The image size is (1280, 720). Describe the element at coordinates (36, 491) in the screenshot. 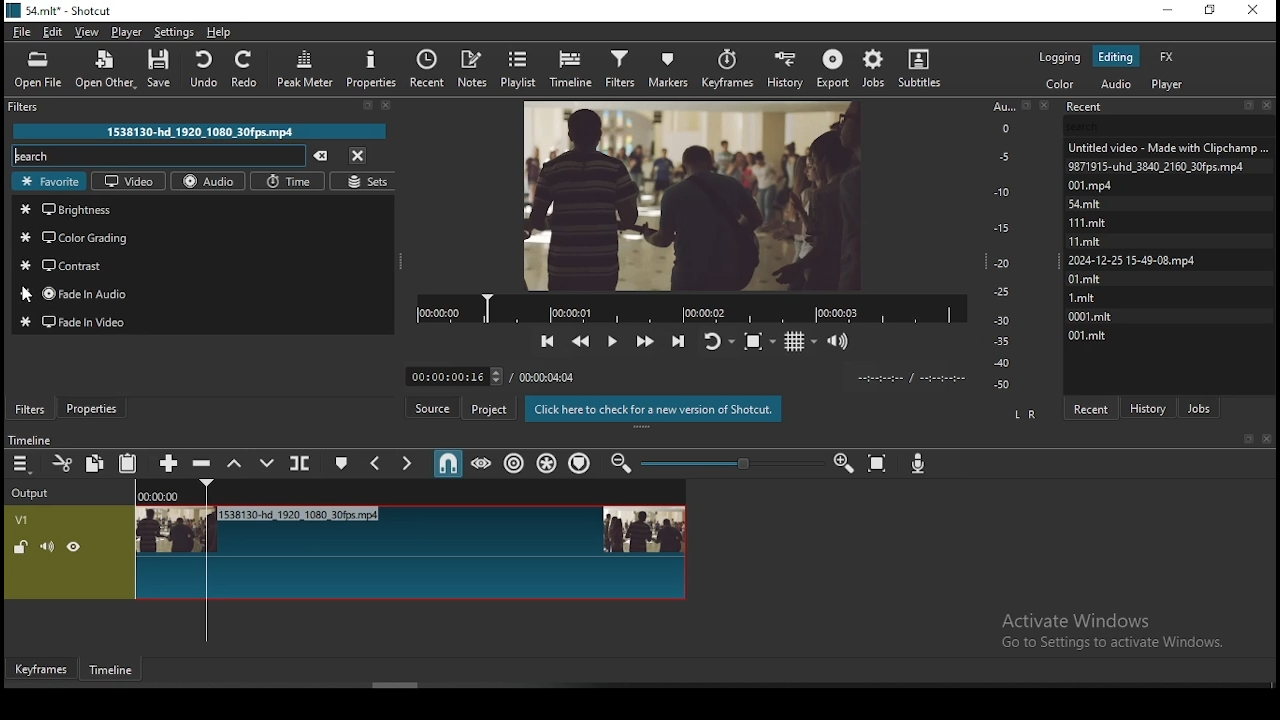

I see `Output` at that location.